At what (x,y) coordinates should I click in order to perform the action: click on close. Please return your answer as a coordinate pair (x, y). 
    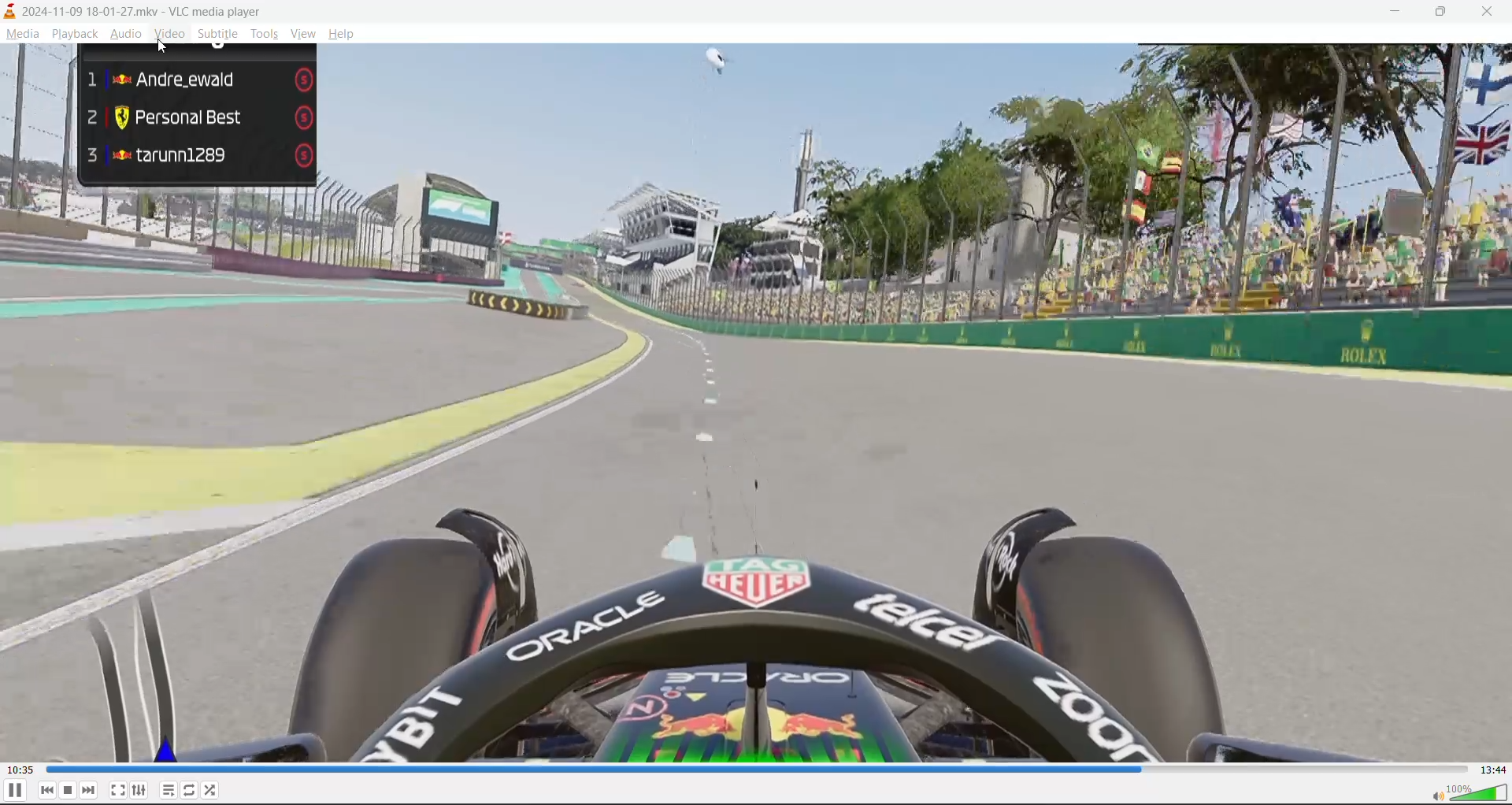
    Looking at the image, I should click on (1493, 12).